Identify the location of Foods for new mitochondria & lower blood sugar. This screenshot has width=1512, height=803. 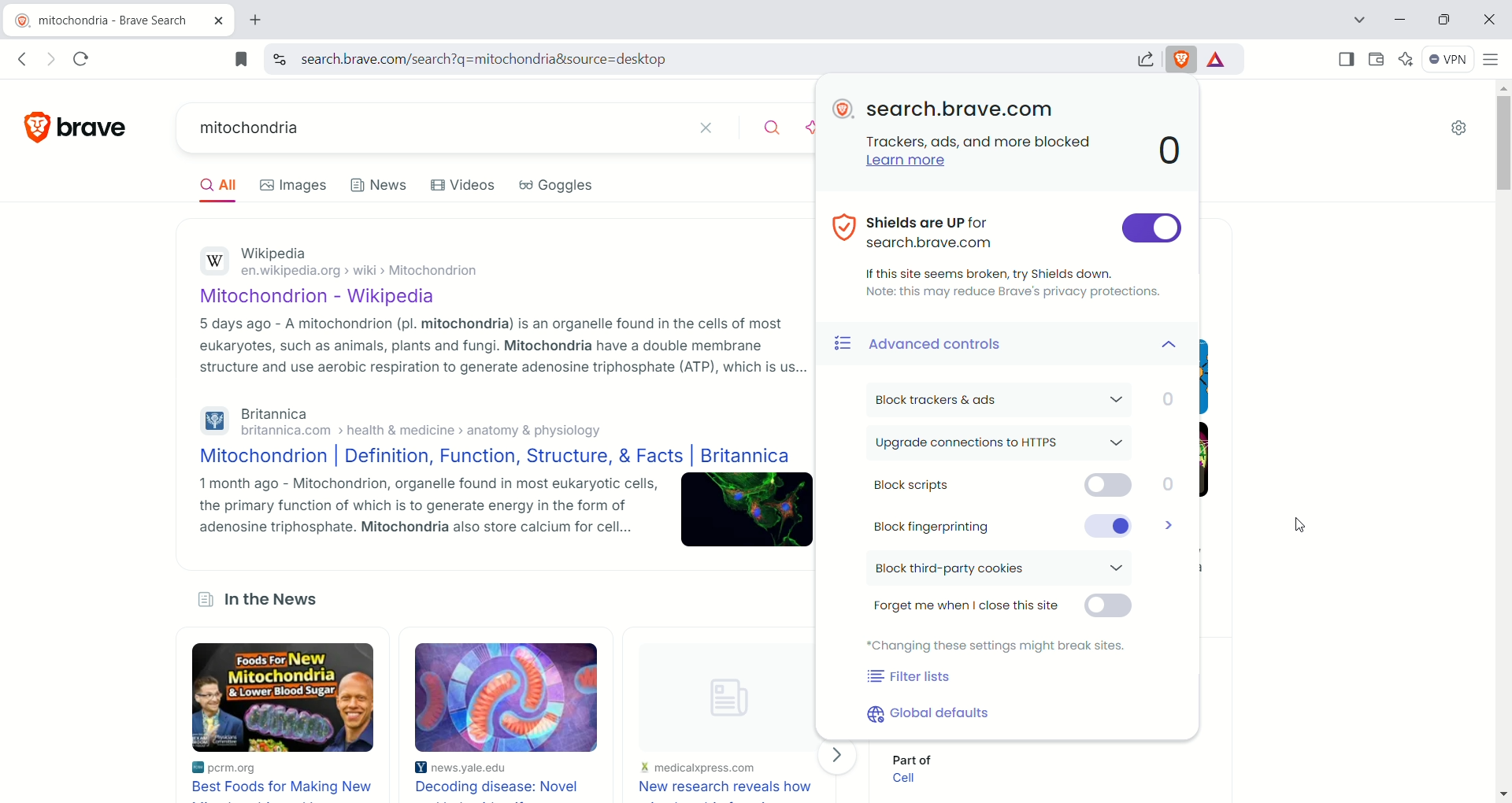
(285, 698).